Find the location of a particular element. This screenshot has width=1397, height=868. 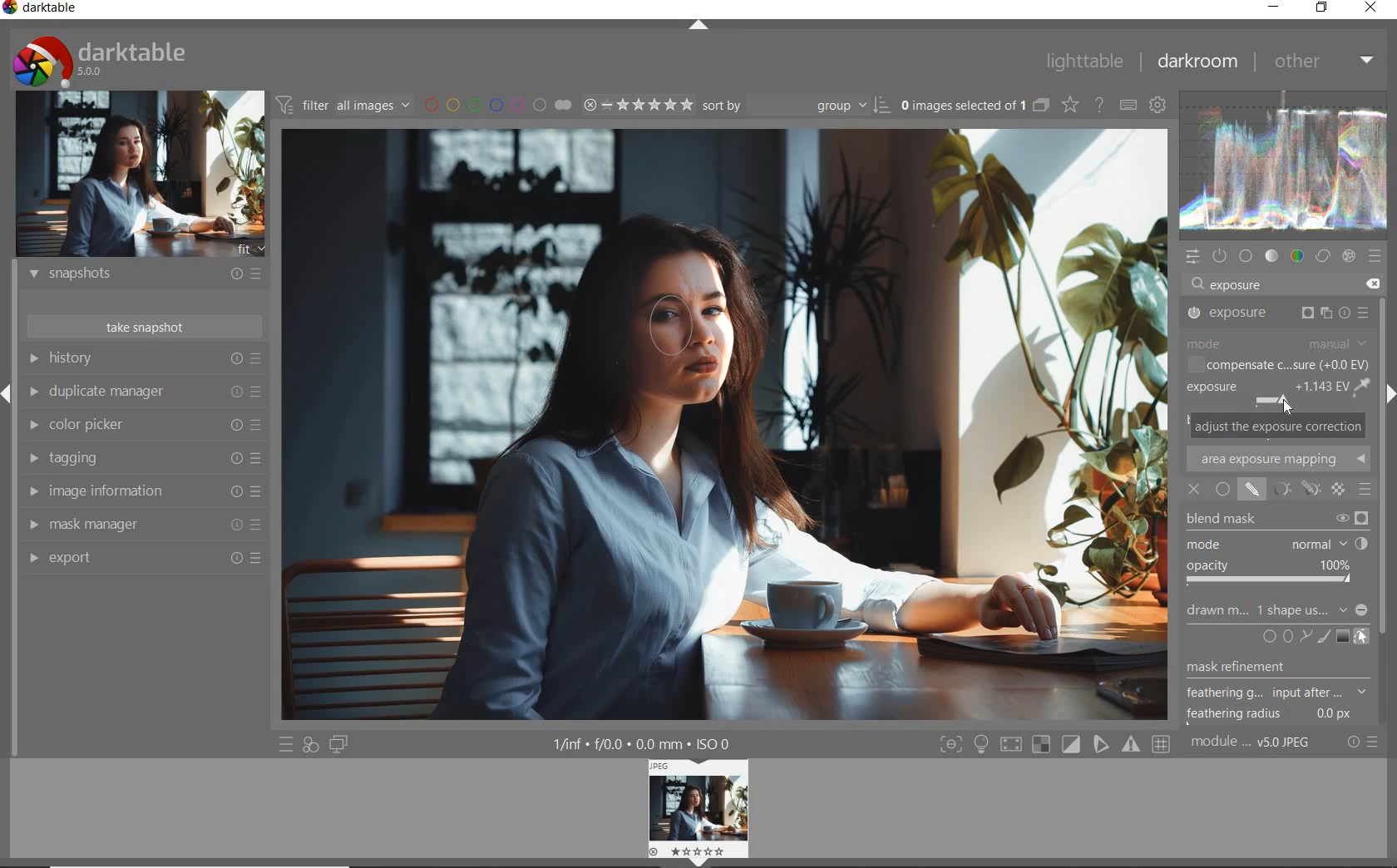

BLEND MASK is located at coordinates (1276, 520).